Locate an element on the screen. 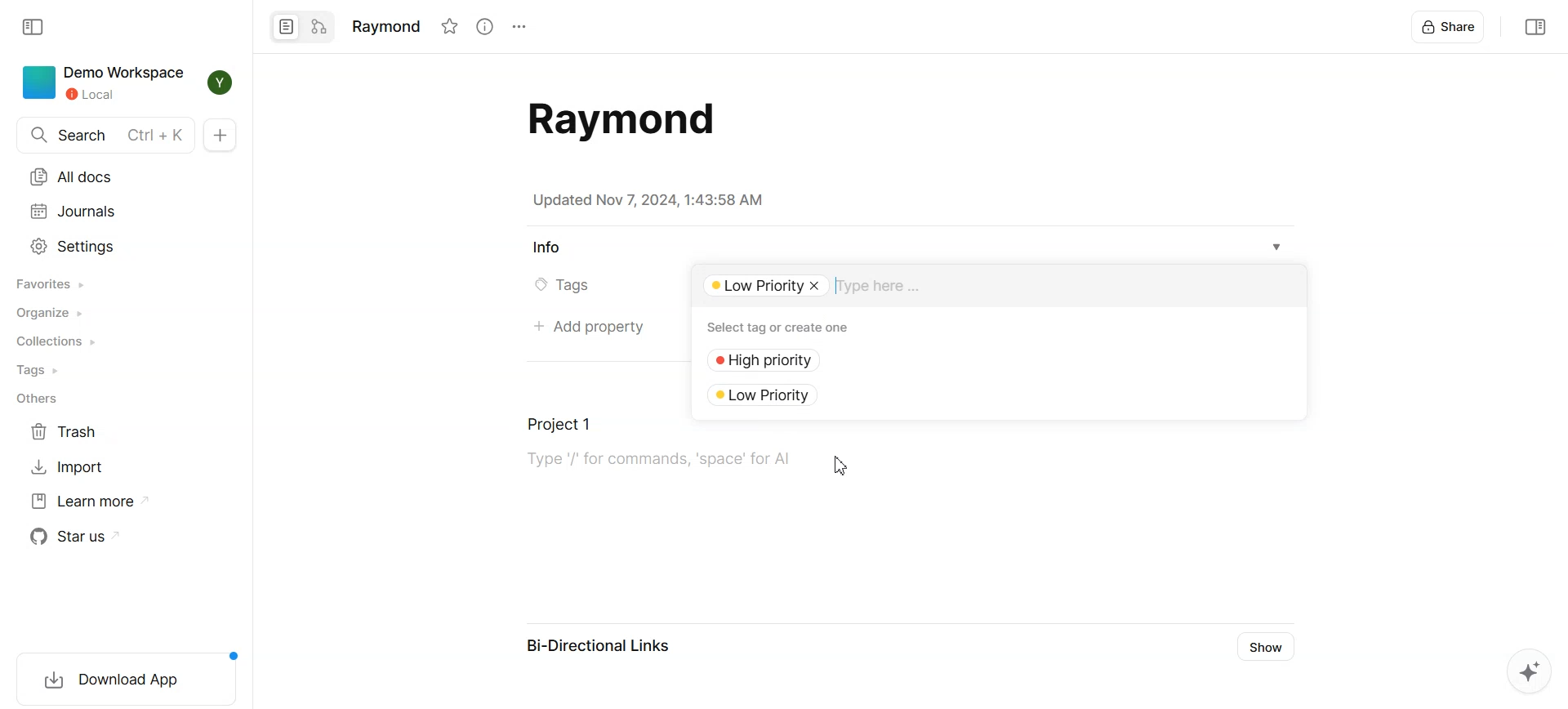 This screenshot has height=709, width=1568. Settings is located at coordinates (74, 246).